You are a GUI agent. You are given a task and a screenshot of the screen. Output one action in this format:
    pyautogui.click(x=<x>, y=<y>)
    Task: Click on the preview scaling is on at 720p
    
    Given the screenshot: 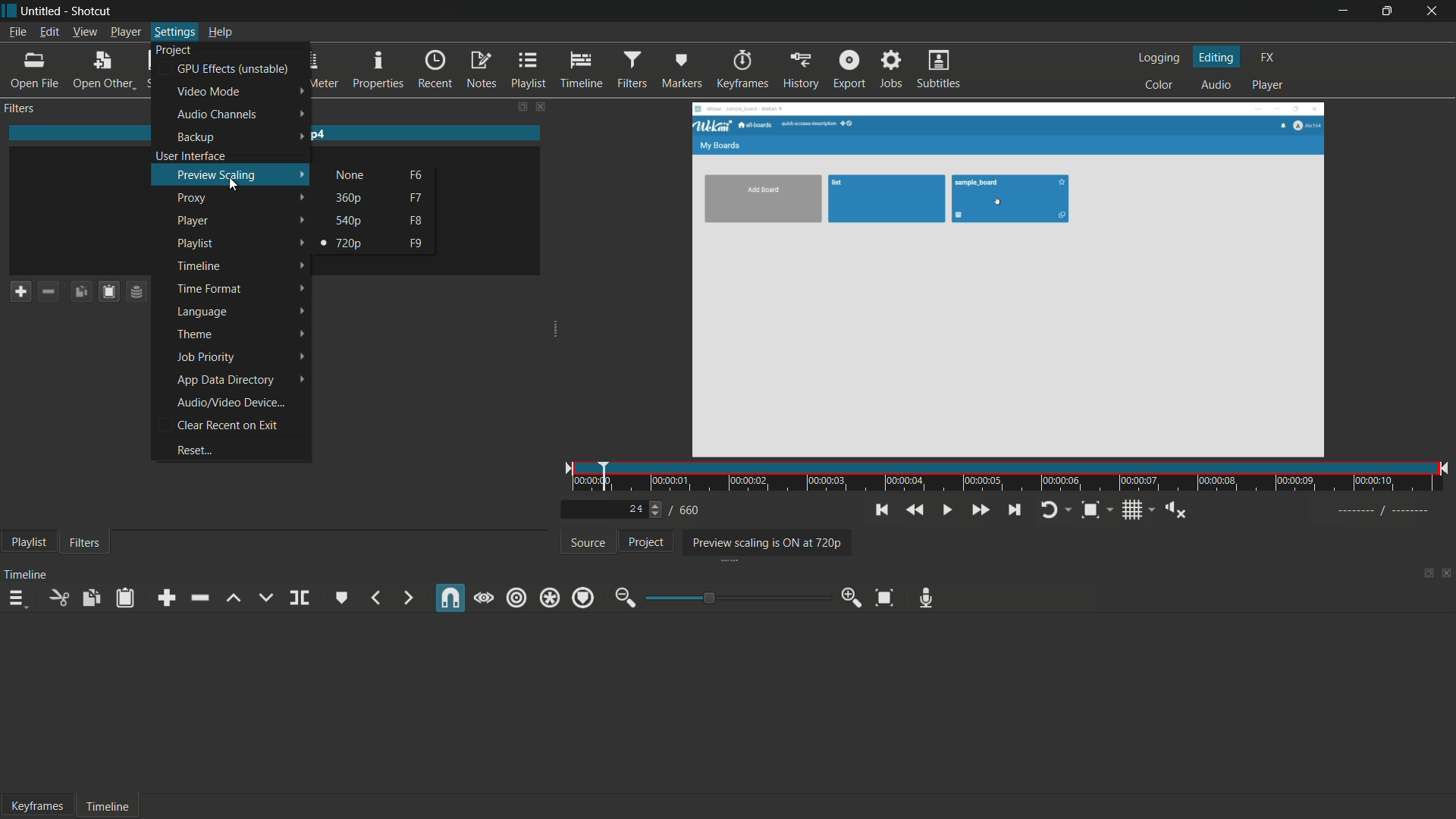 What is the action you would take?
    pyautogui.click(x=764, y=542)
    